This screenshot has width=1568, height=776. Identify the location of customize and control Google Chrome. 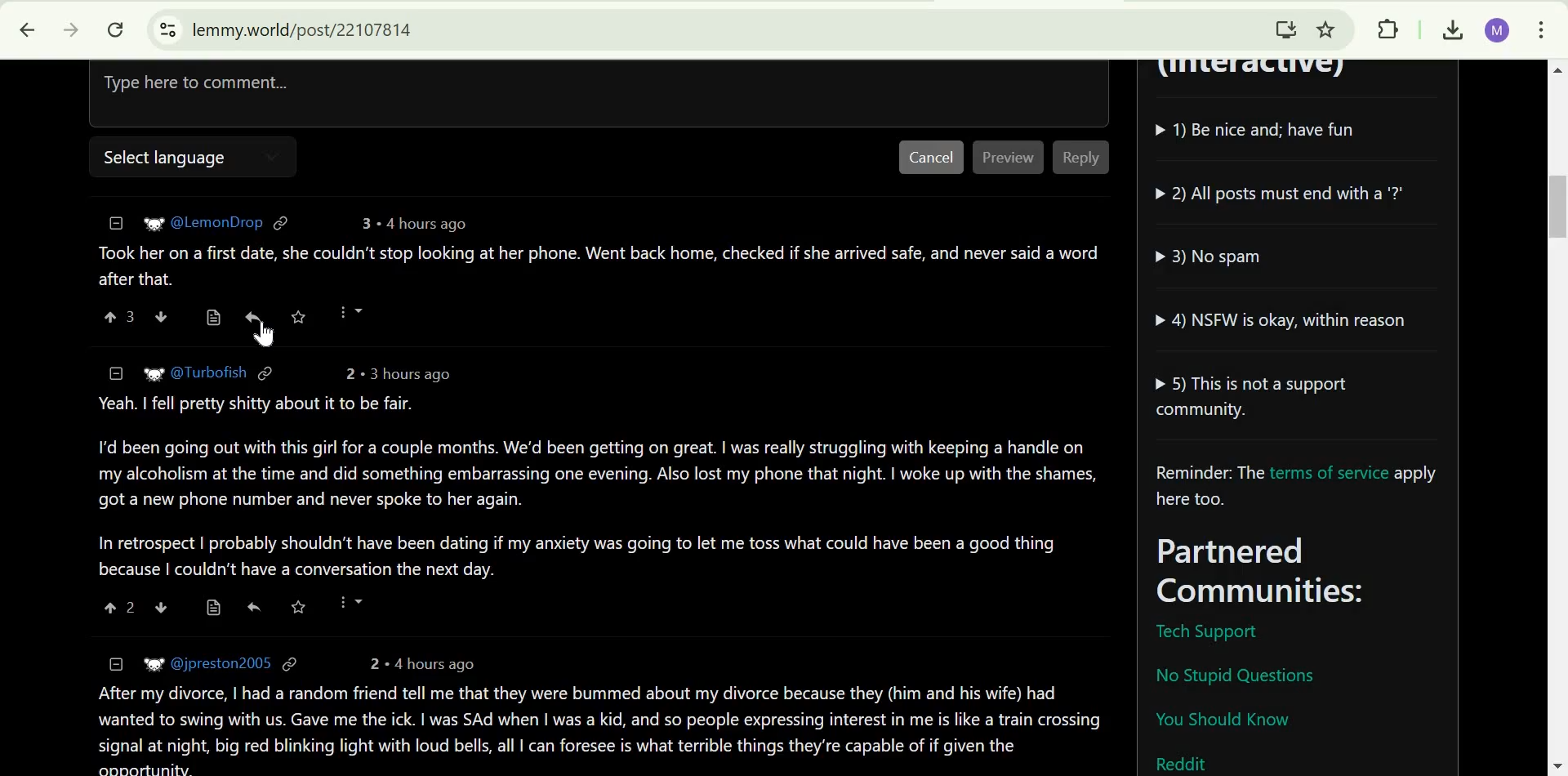
(1542, 32).